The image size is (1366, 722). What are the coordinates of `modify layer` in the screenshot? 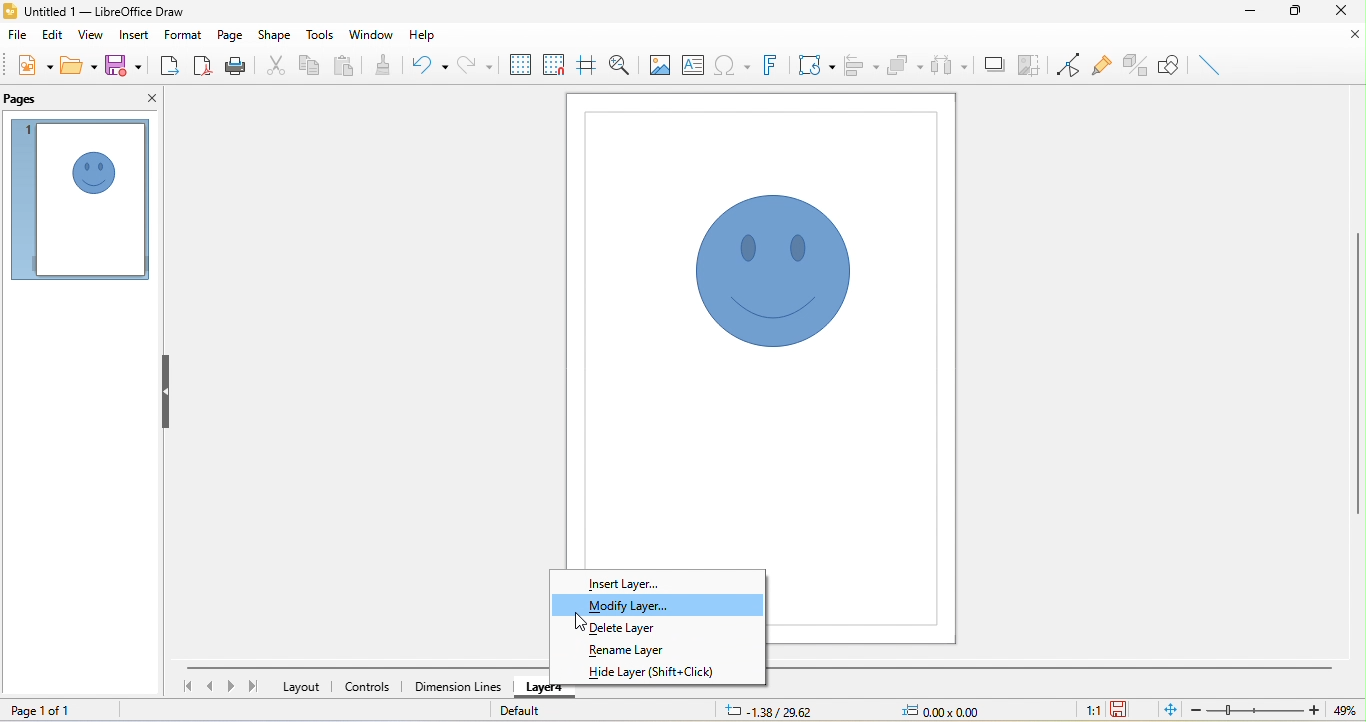 It's located at (654, 605).